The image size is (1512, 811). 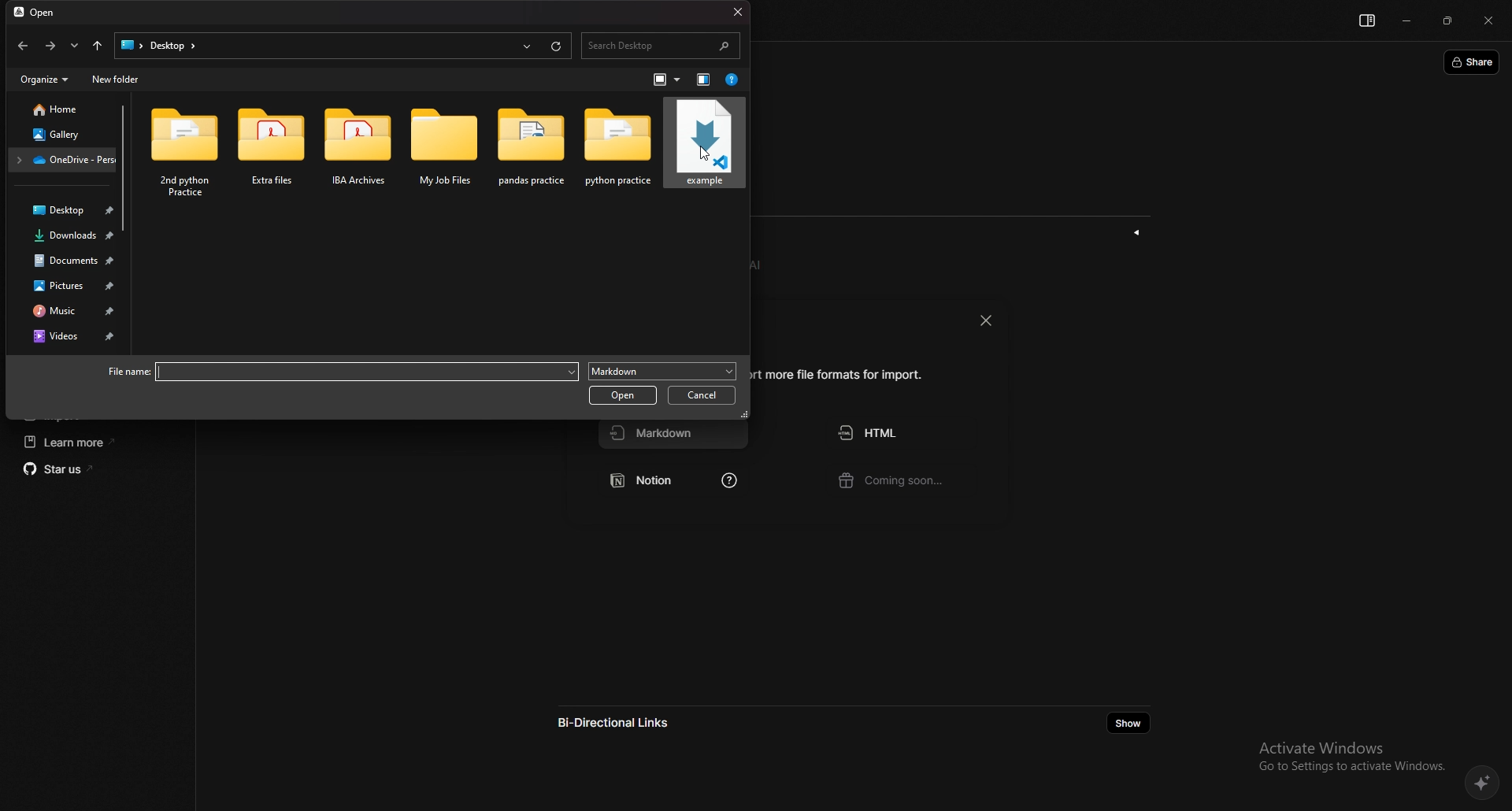 I want to click on videos, so click(x=66, y=338).